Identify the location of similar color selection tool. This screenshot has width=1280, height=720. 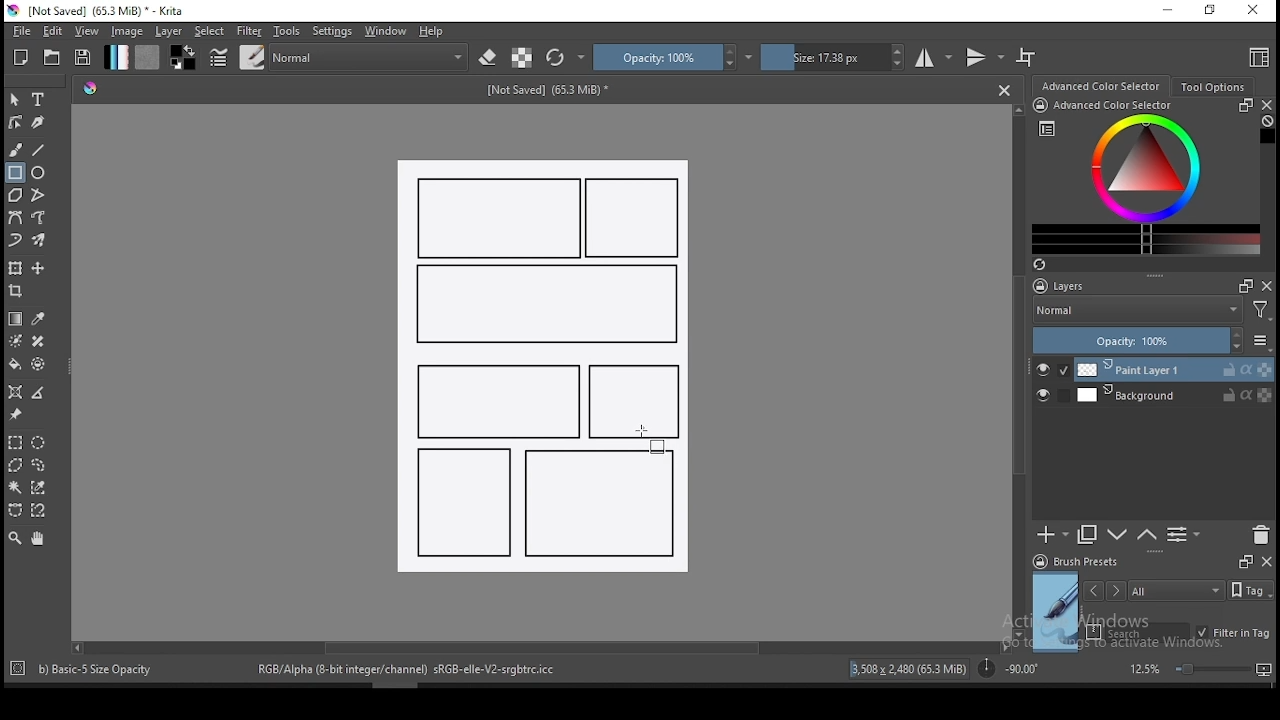
(41, 487).